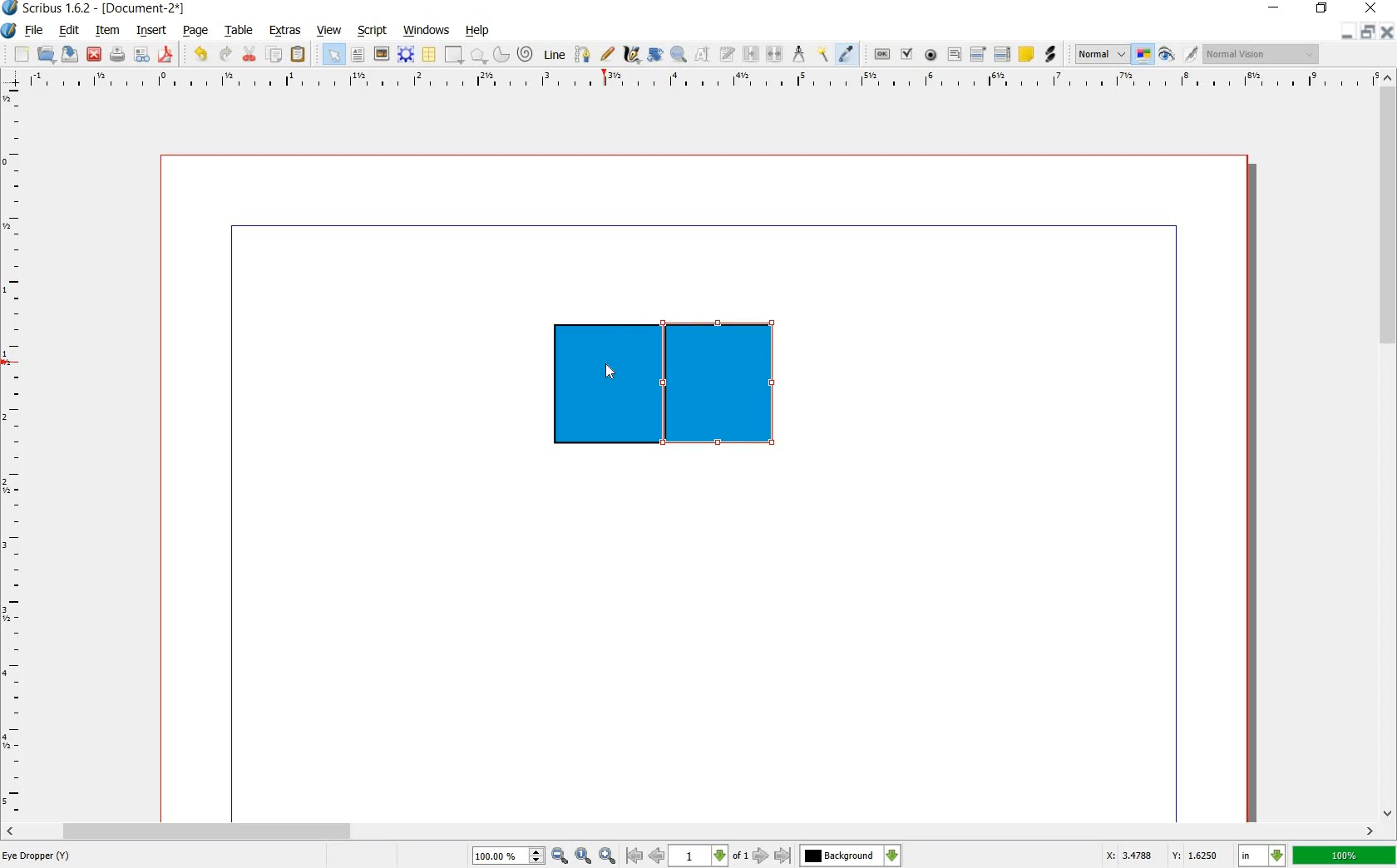 The width and height of the screenshot is (1397, 868). I want to click on shape, so click(452, 55).